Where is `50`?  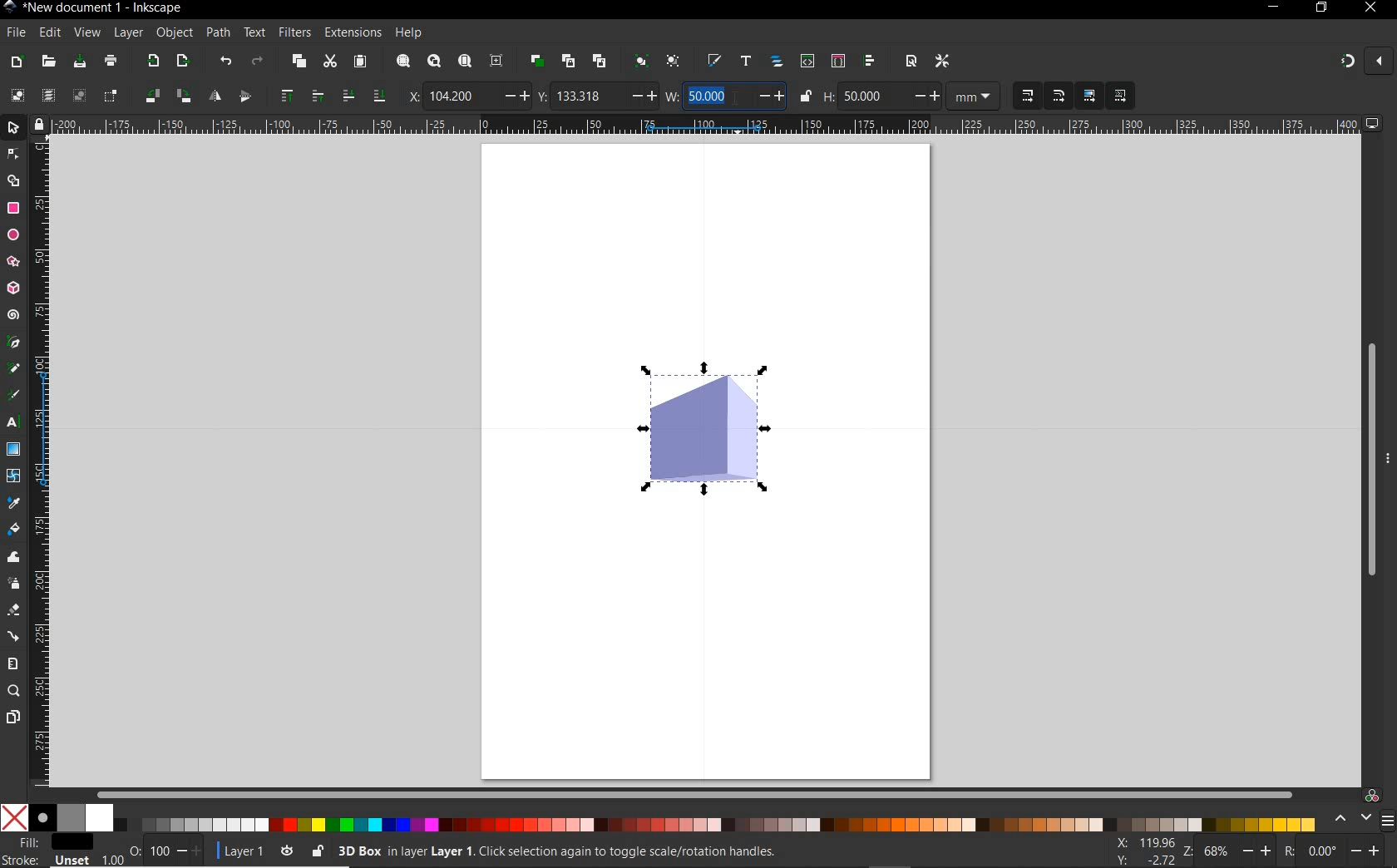
50 is located at coordinates (871, 96).